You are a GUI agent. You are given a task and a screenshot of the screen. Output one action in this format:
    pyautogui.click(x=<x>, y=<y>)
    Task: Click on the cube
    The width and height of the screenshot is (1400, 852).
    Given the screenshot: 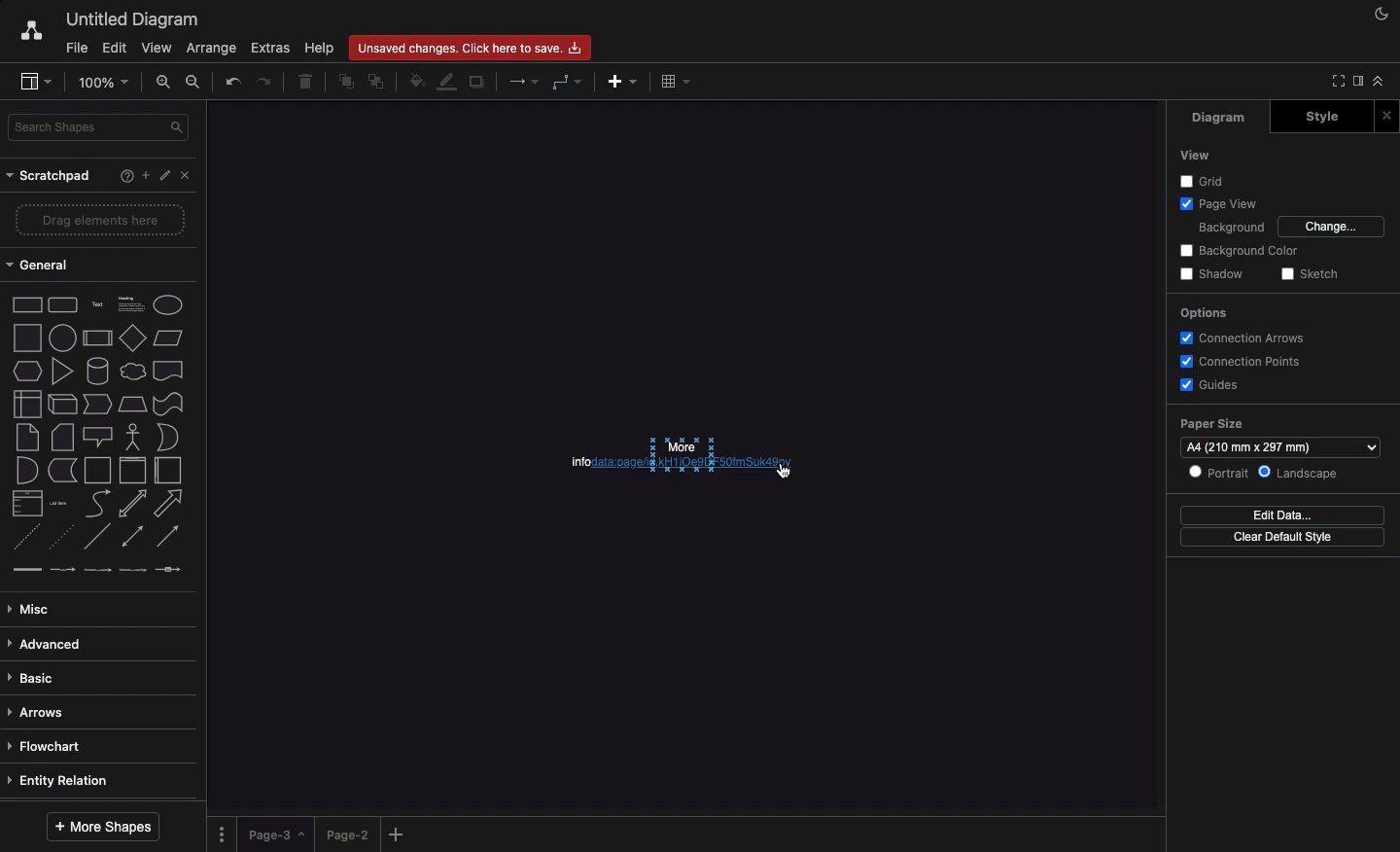 What is the action you would take?
    pyautogui.click(x=62, y=405)
    